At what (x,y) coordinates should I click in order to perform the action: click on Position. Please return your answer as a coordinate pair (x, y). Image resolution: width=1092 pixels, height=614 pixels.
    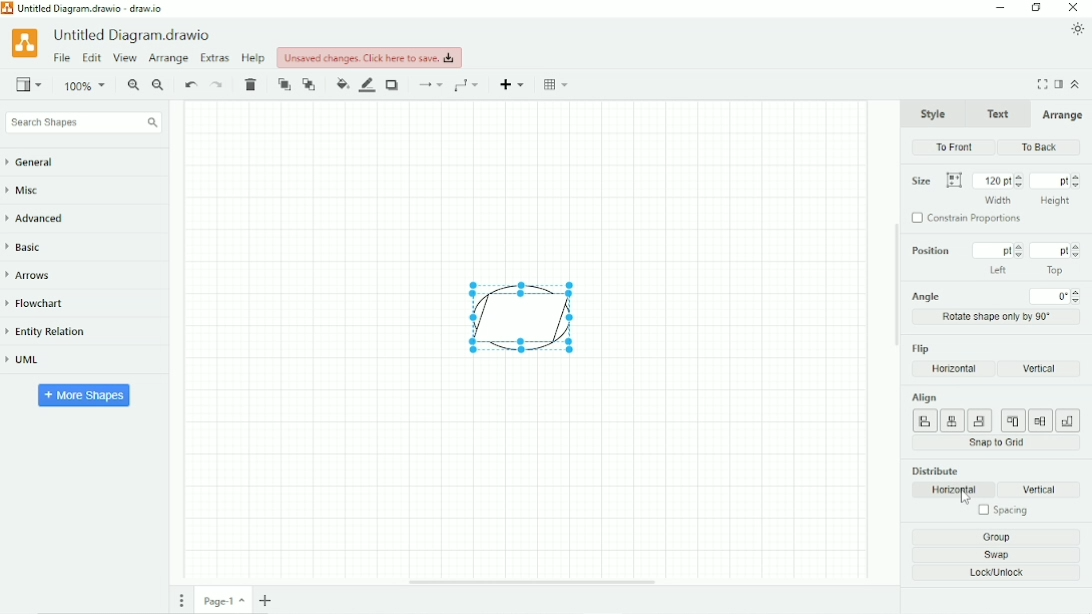
    Looking at the image, I should click on (993, 259).